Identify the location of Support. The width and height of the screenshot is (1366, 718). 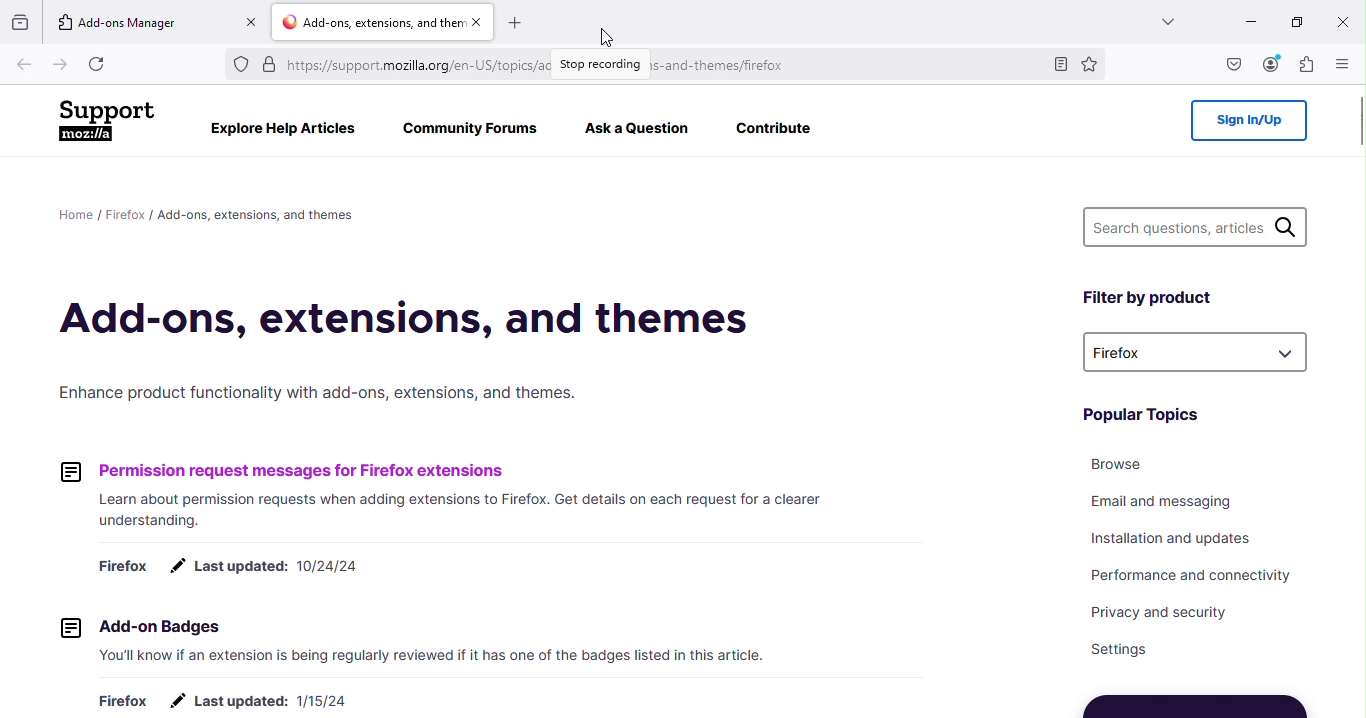
(103, 121).